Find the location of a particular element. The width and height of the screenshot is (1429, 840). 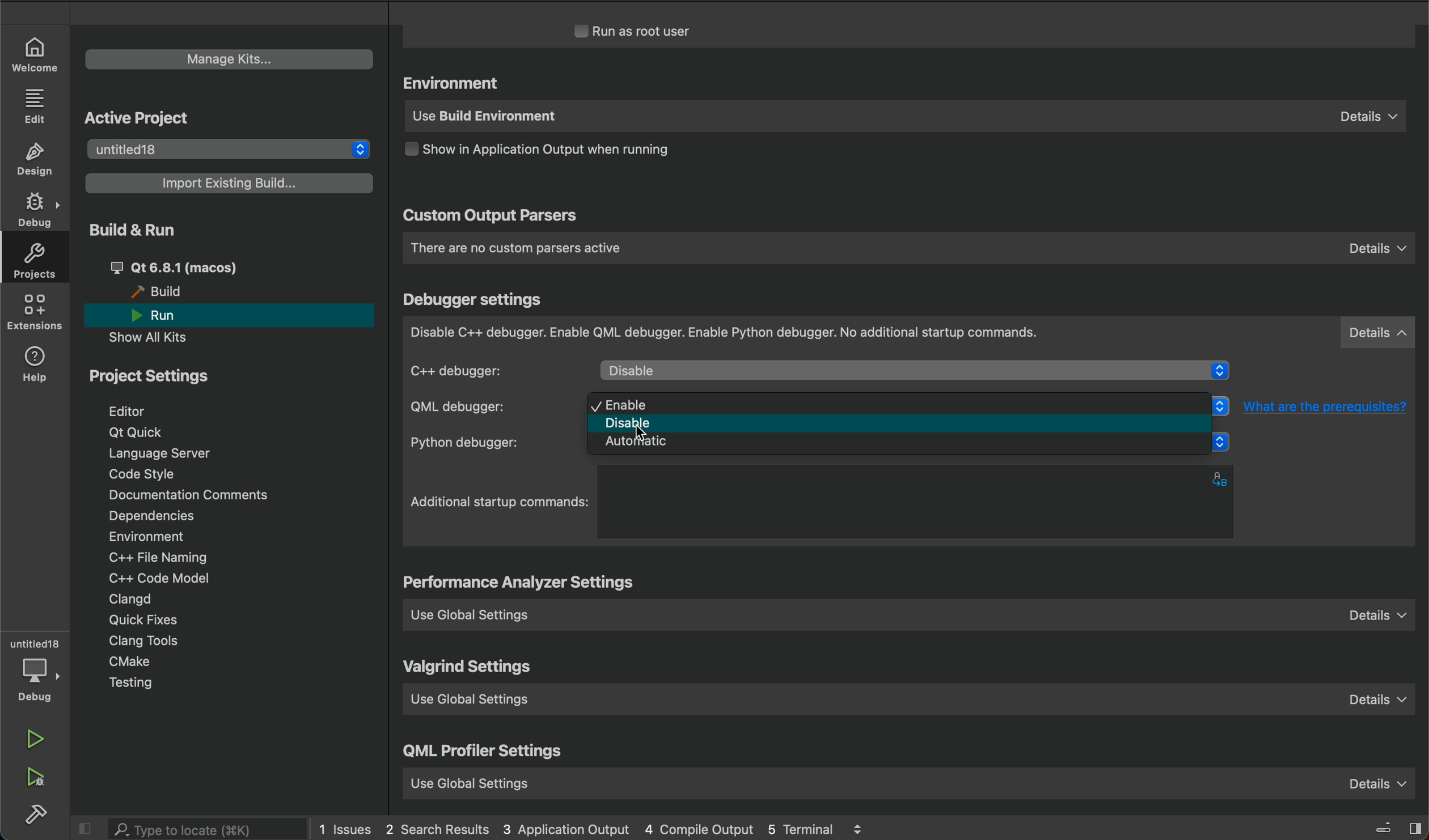

qml  is located at coordinates (484, 754).